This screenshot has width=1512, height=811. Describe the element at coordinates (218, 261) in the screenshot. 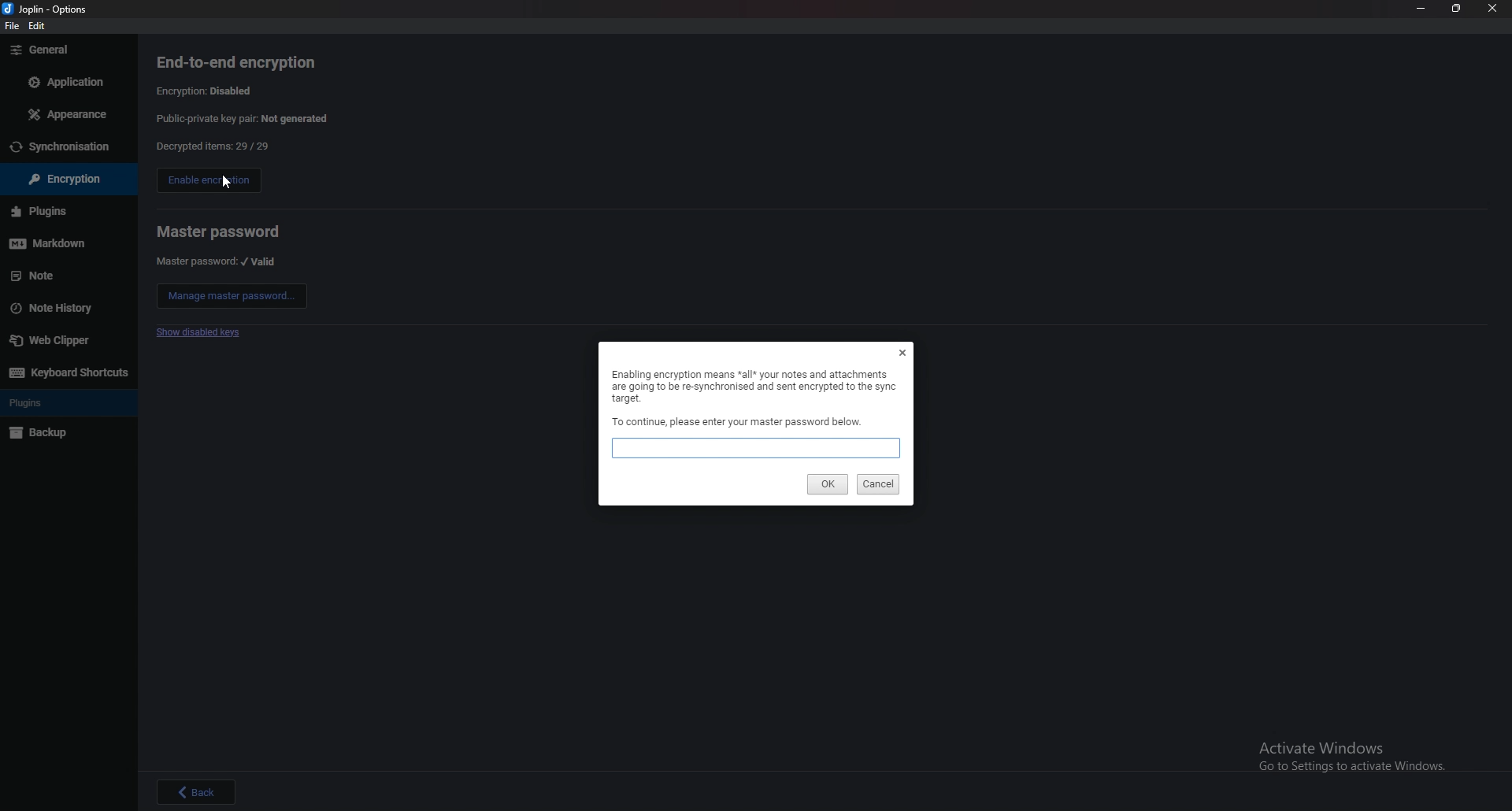

I see `master password valid` at that location.